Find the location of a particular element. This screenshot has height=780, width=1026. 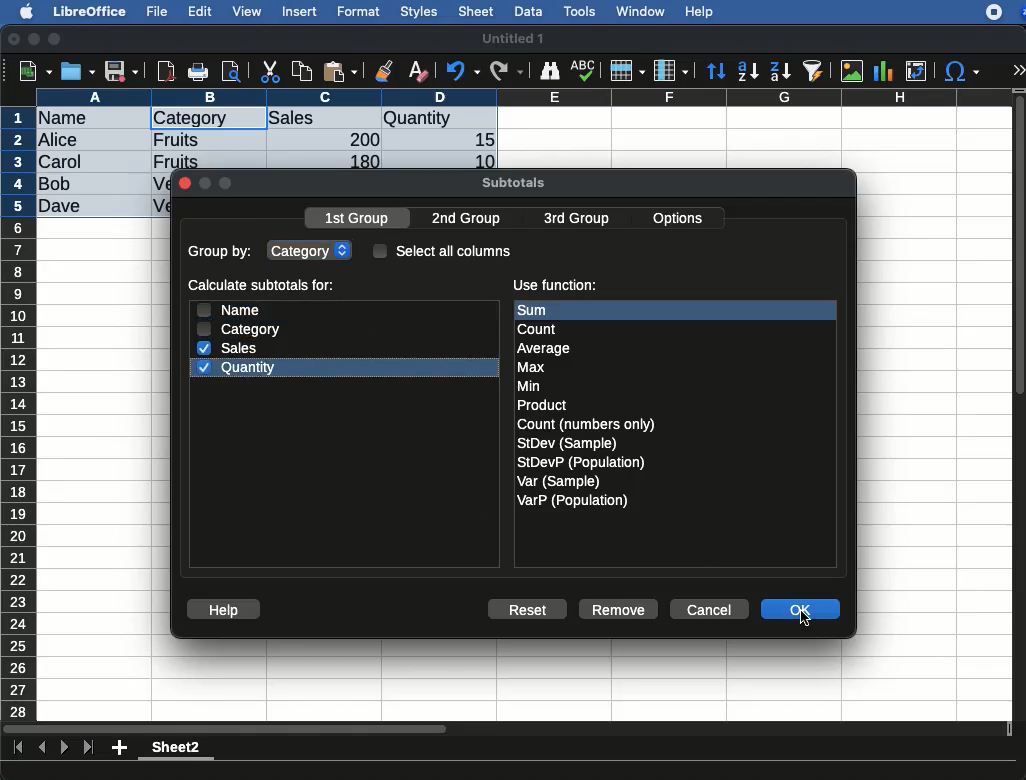

row is located at coordinates (20, 413).